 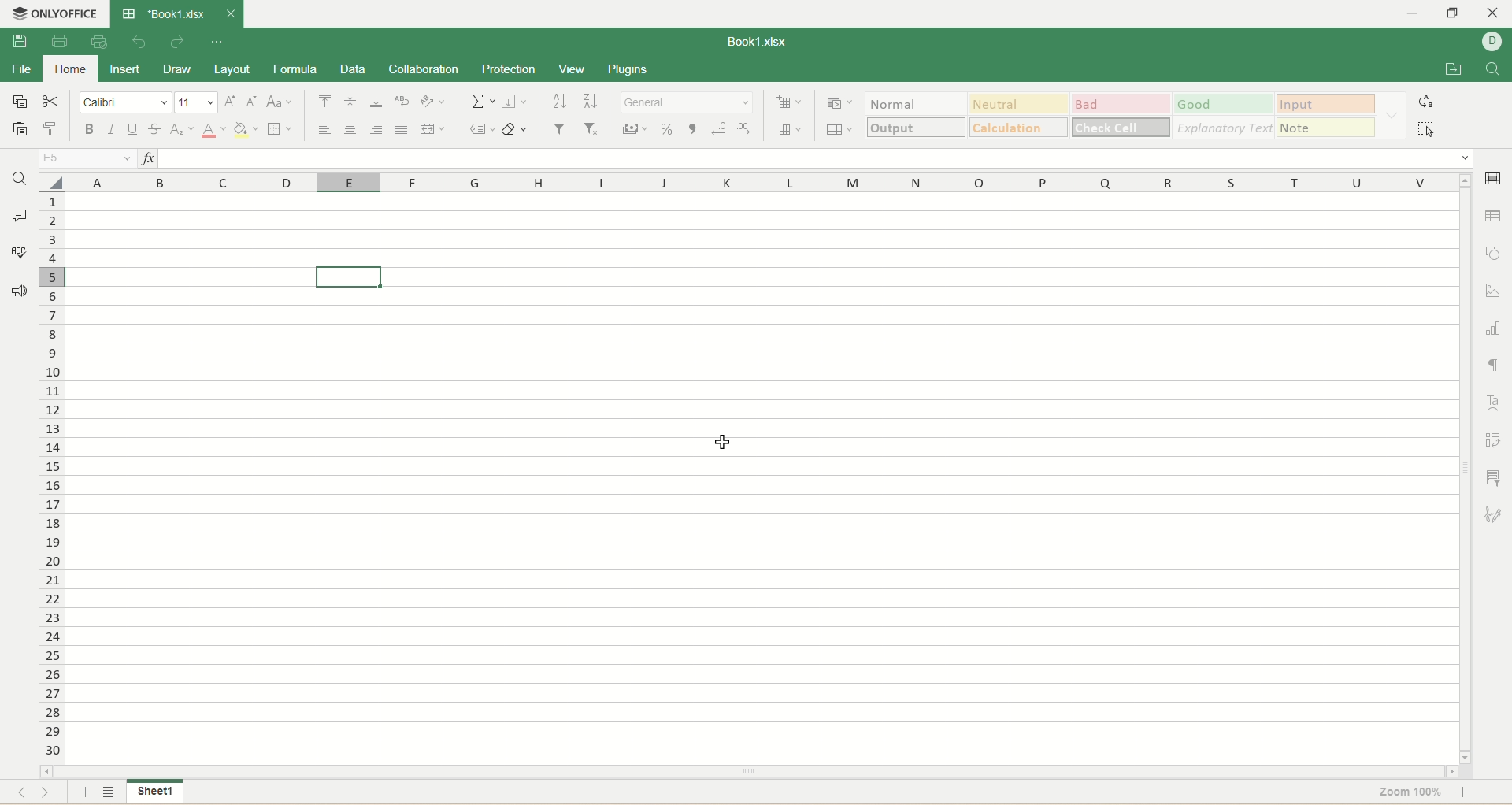 I want to click on align left, so click(x=321, y=131).